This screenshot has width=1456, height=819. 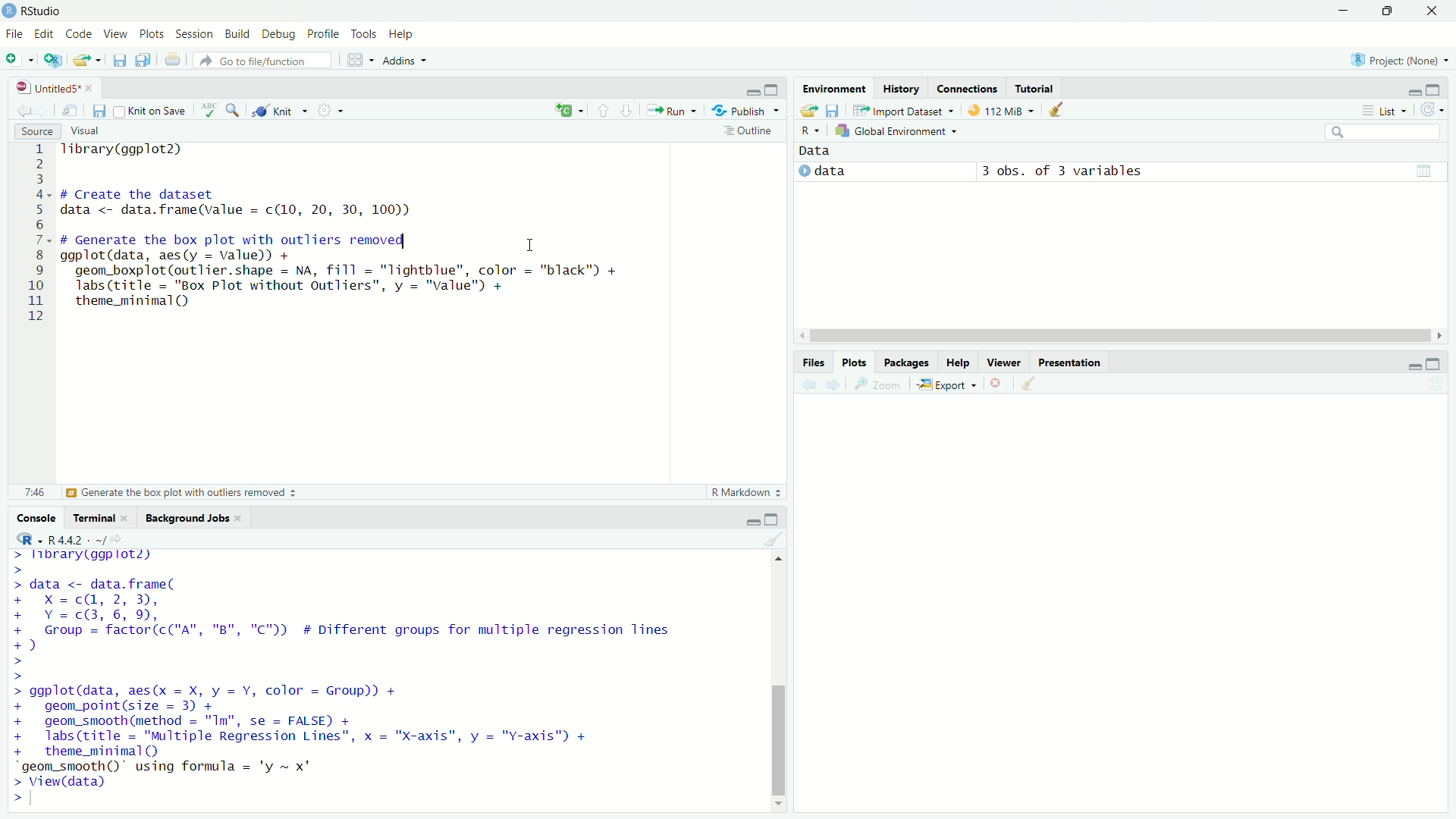 What do you see at coordinates (1069, 360) in the screenshot?
I see `Presentation` at bounding box center [1069, 360].